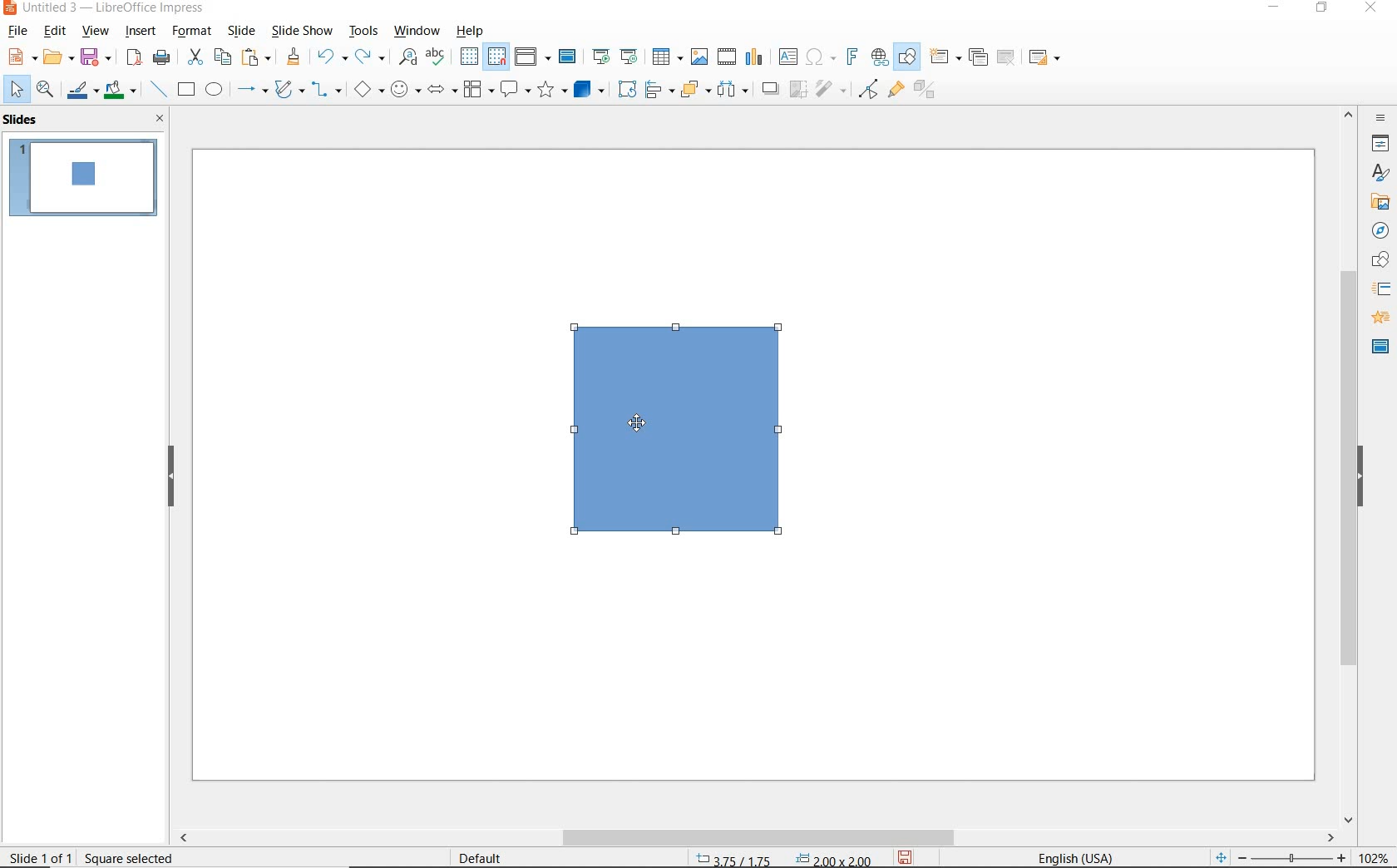 The width and height of the screenshot is (1397, 868). Describe the element at coordinates (728, 57) in the screenshot. I see `insert audio or video` at that location.